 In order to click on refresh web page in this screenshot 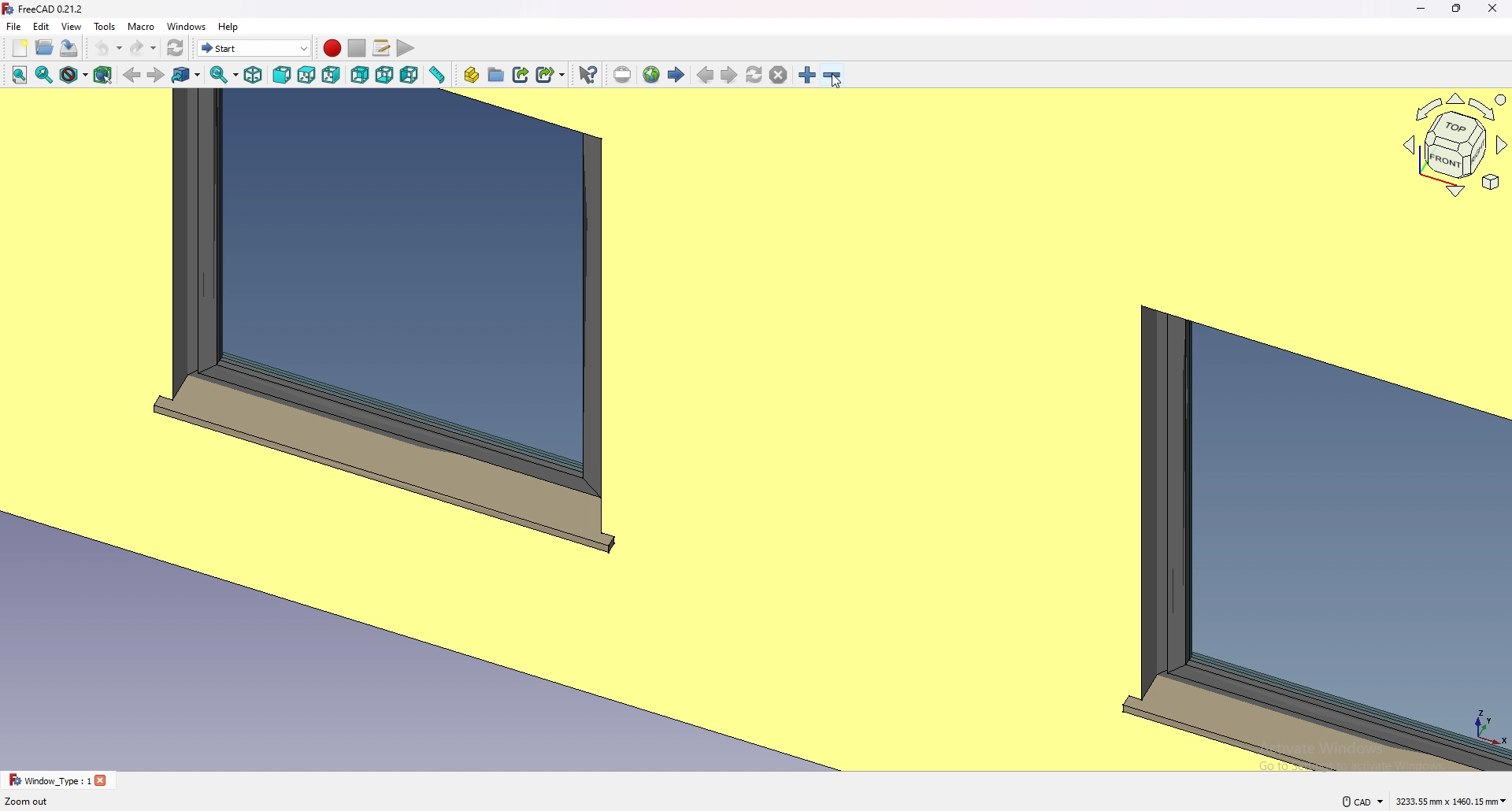, I will do `click(755, 74)`.